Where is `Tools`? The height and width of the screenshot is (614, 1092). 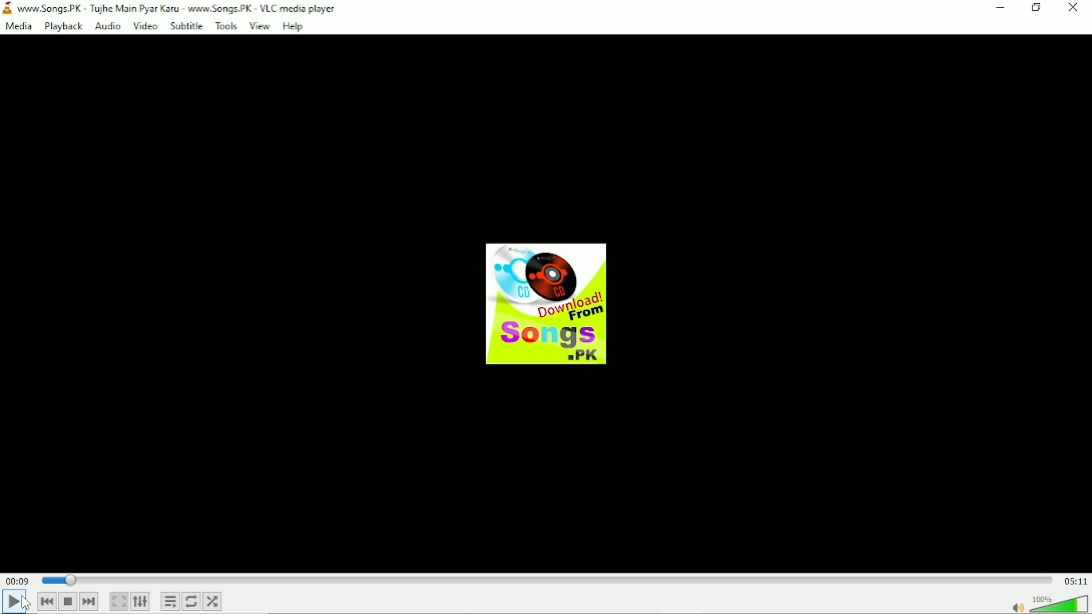
Tools is located at coordinates (230, 27).